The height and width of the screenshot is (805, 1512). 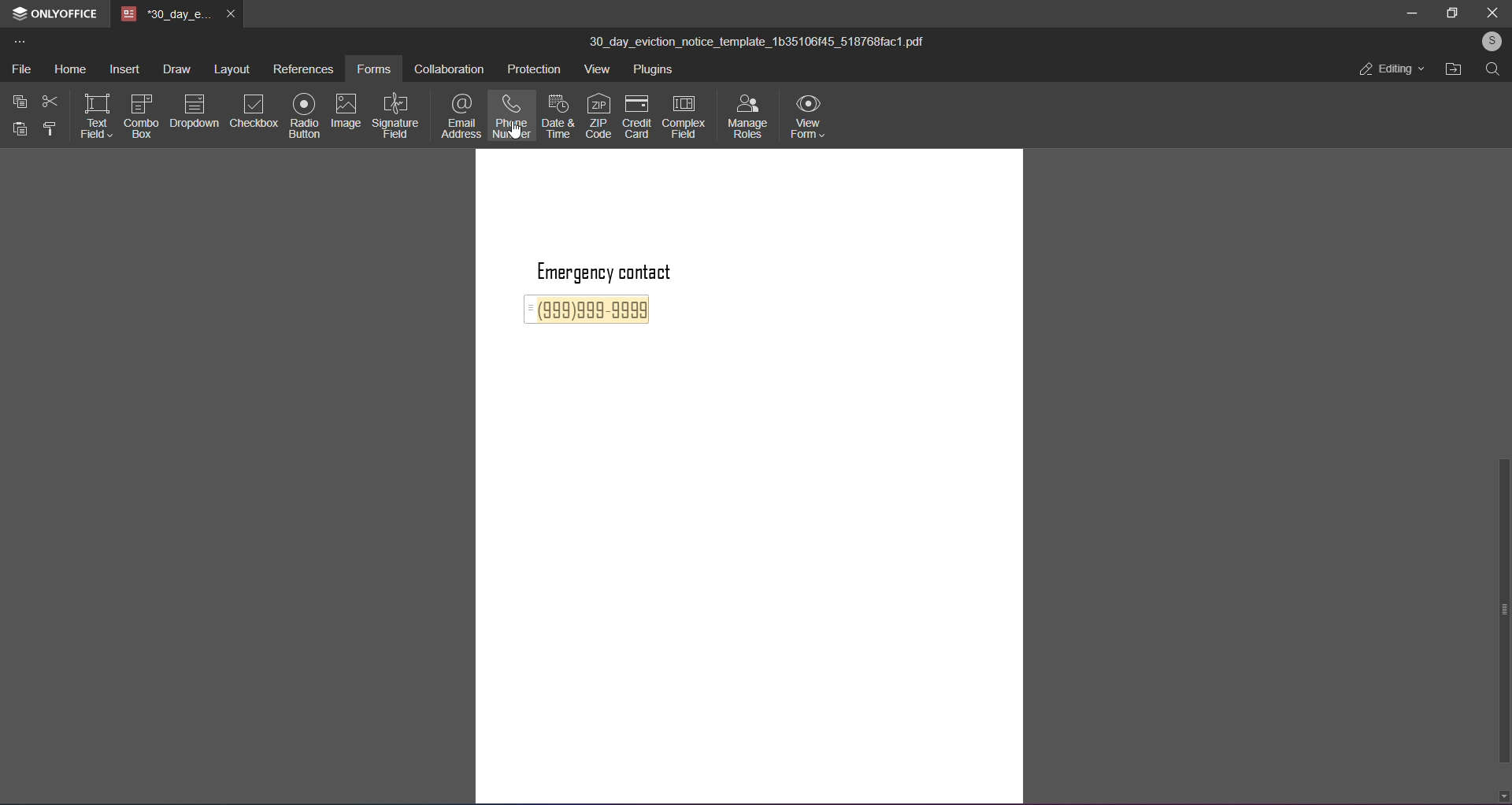 What do you see at coordinates (176, 72) in the screenshot?
I see `draw` at bounding box center [176, 72].